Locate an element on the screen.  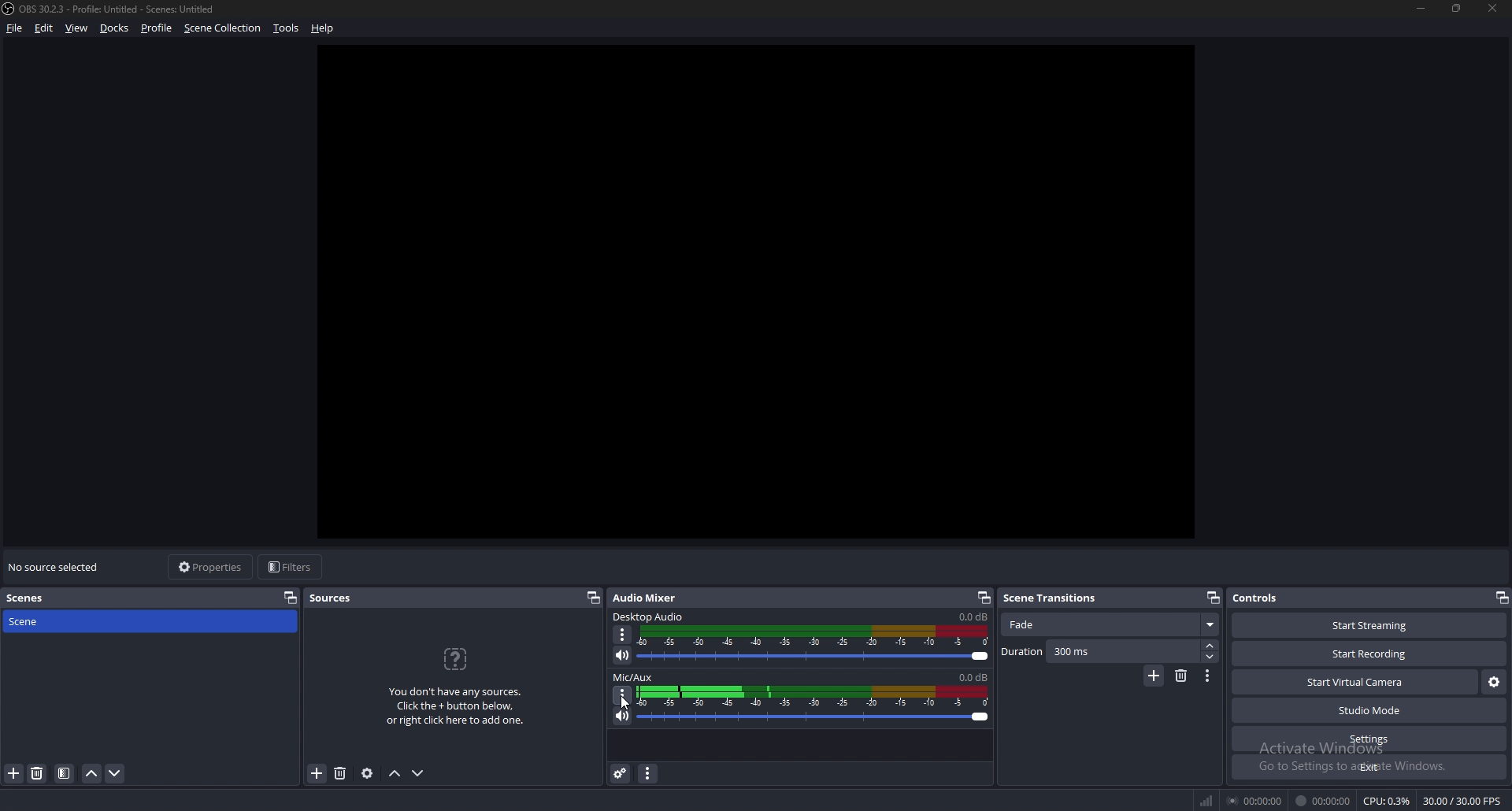
remove source is located at coordinates (317, 773).